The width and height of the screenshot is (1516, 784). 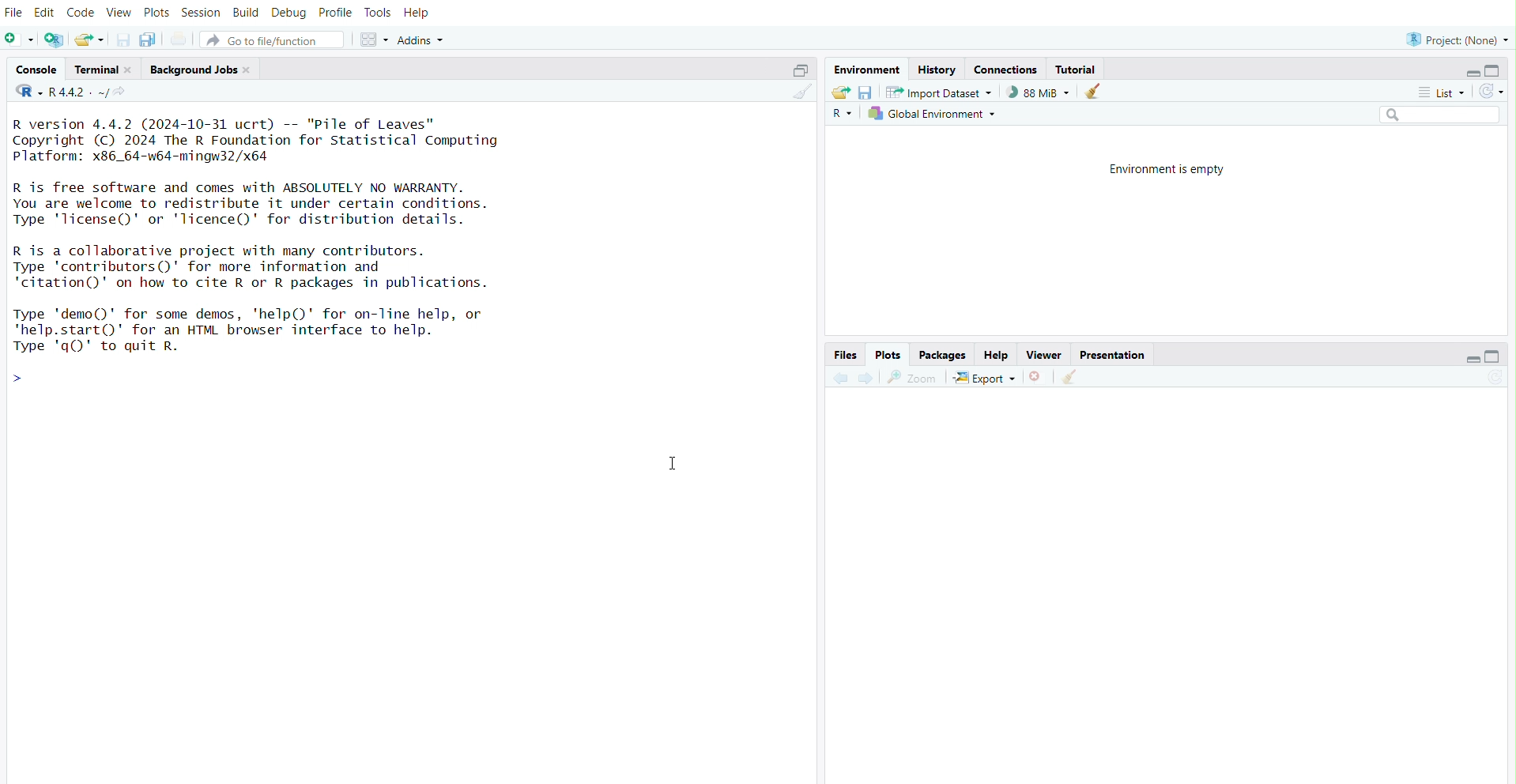 What do you see at coordinates (45, 10) in the screenshot?
I see `edit` at bounding box center [45, 10].